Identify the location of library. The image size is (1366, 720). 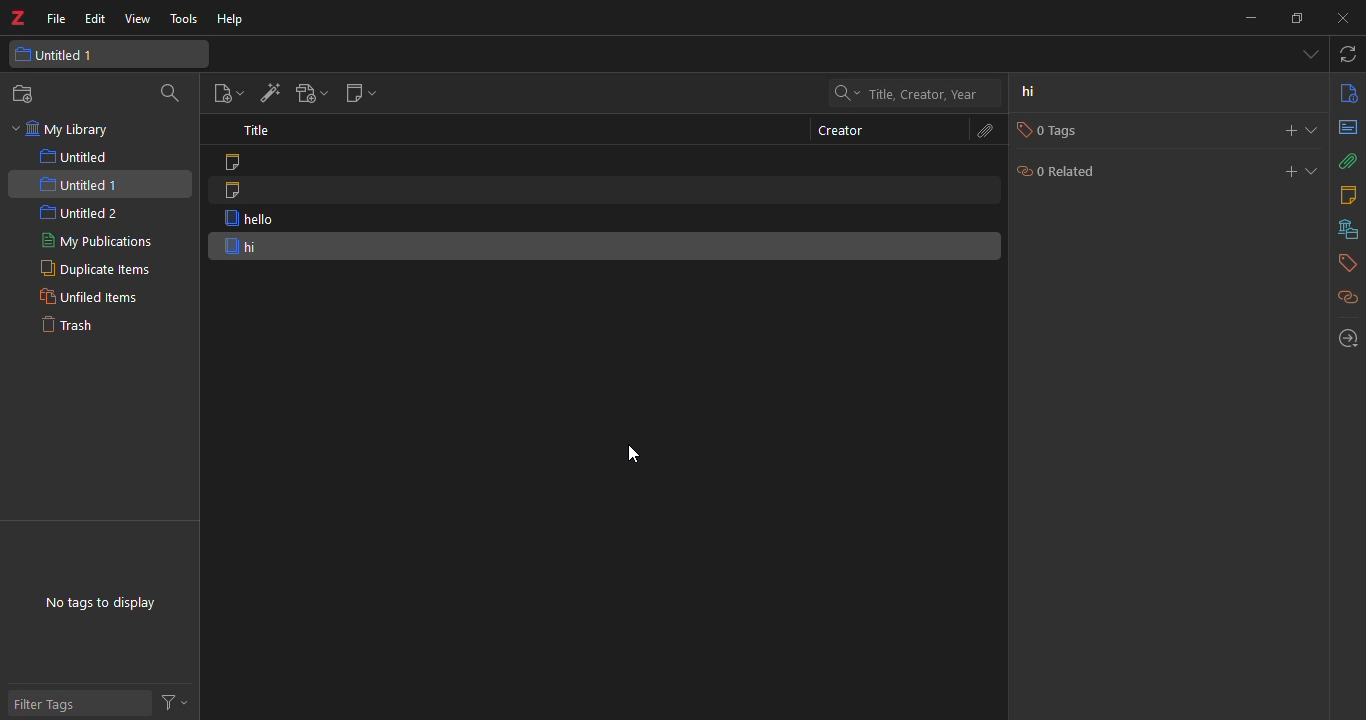
(1347, 229).